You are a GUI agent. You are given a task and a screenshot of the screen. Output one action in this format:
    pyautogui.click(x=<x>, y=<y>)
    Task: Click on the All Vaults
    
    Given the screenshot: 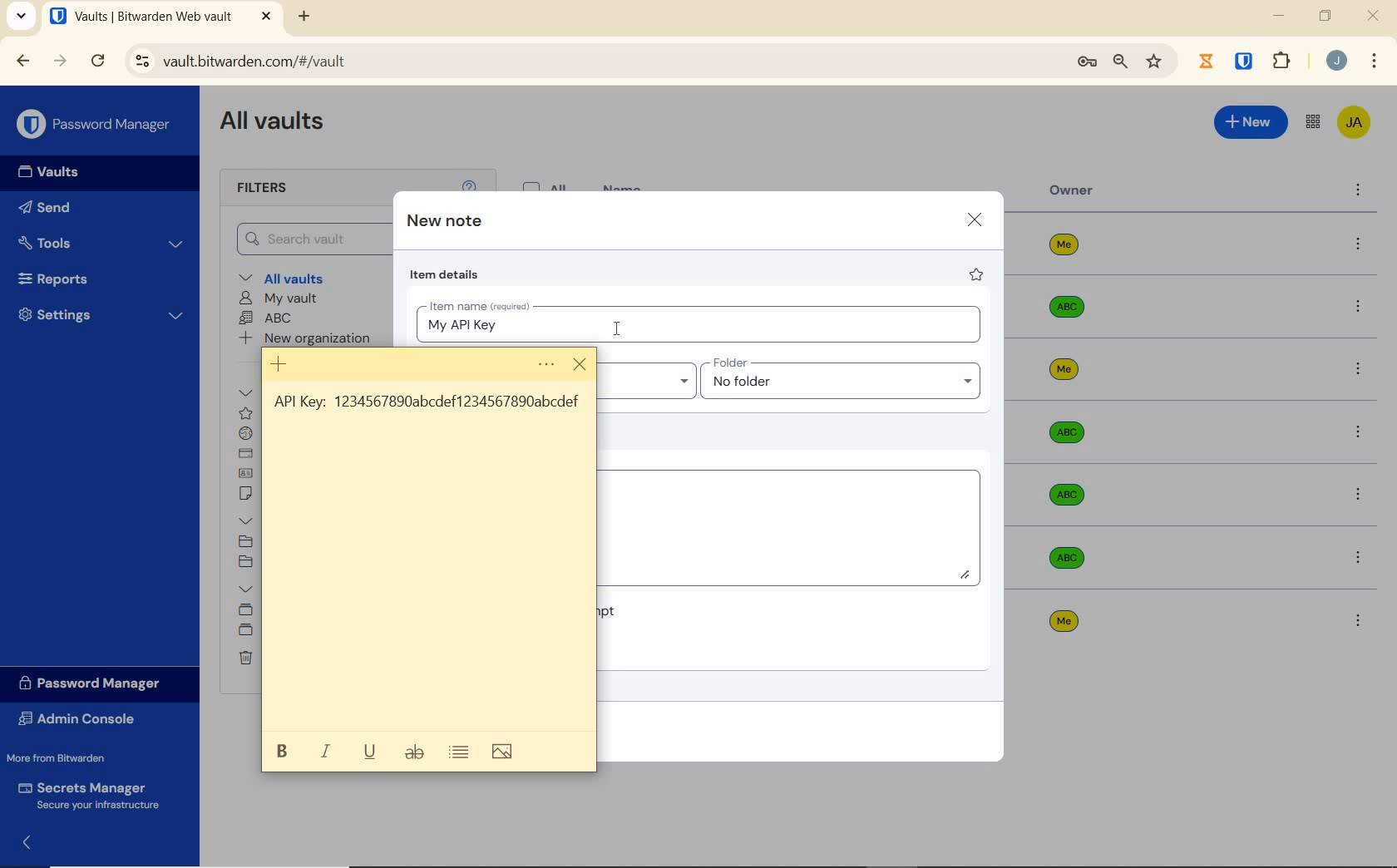 What is the action you would take?
    pyautogui.click(x=279, y=126)
    